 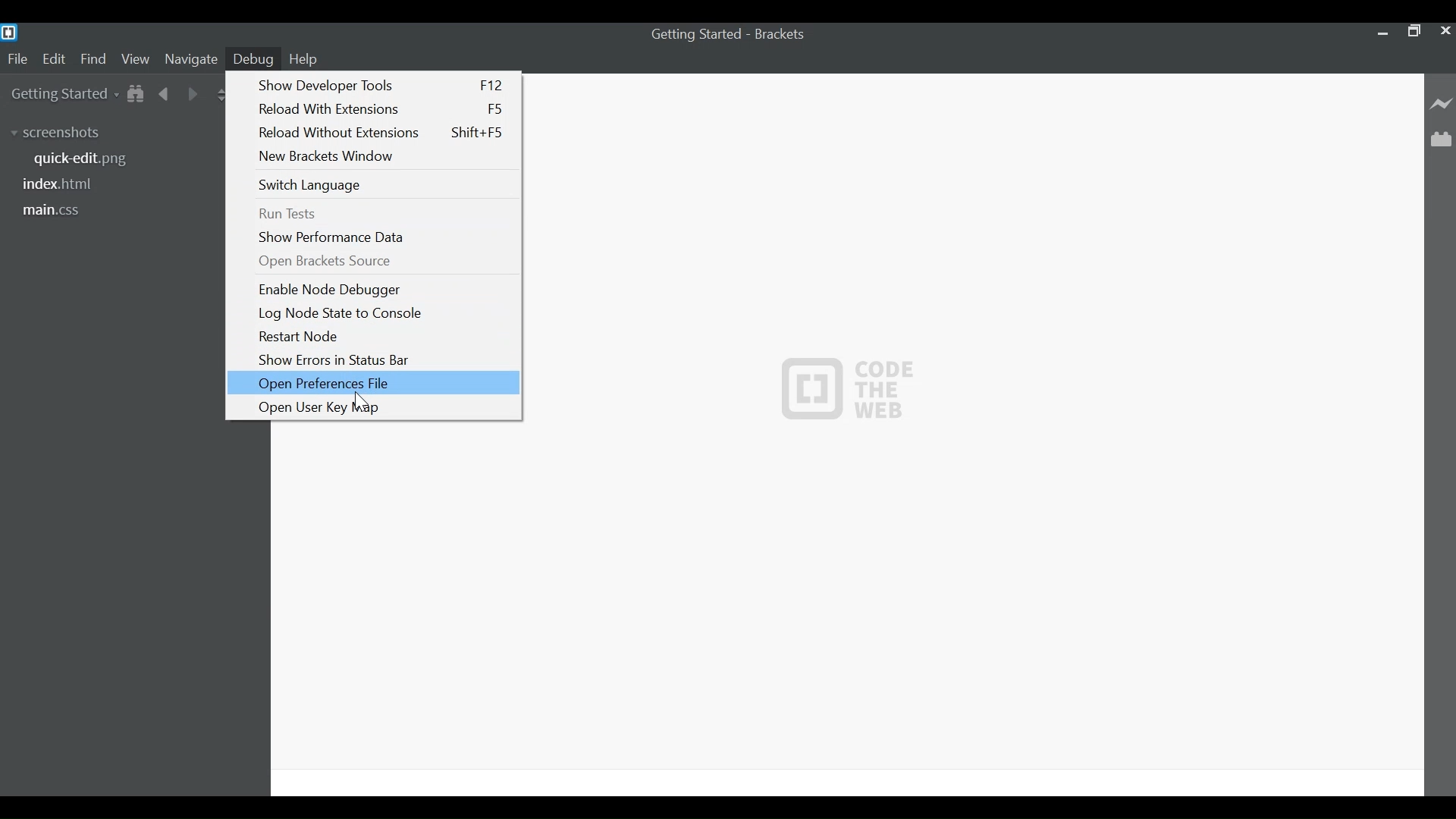 What do you see at coordinates (256, 58) in the screenshot?
I see `Debug` at bounding box center [256, 58].